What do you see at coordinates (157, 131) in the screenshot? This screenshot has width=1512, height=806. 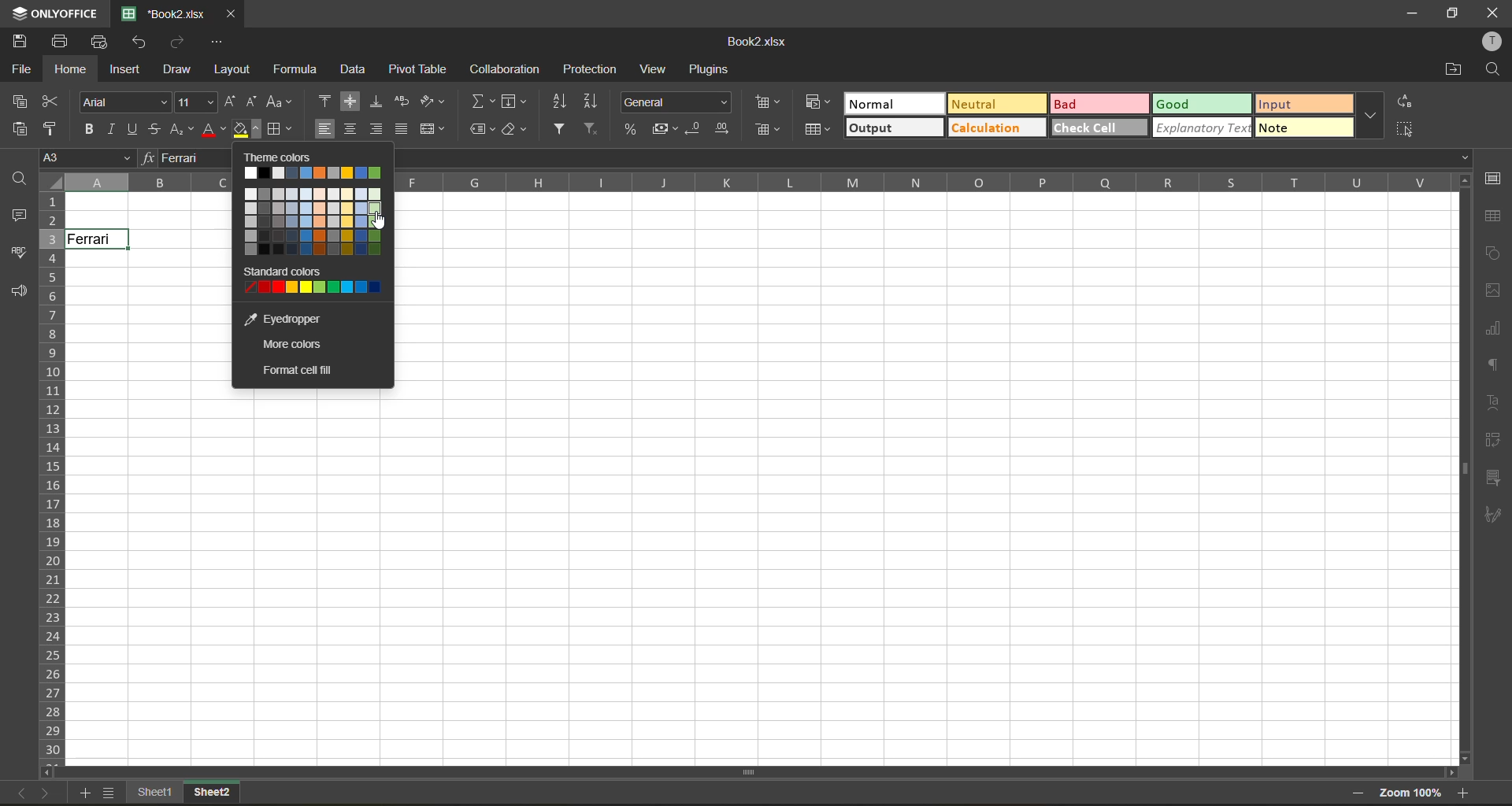 I see `strikethrough` at bounding box center [157, 131].